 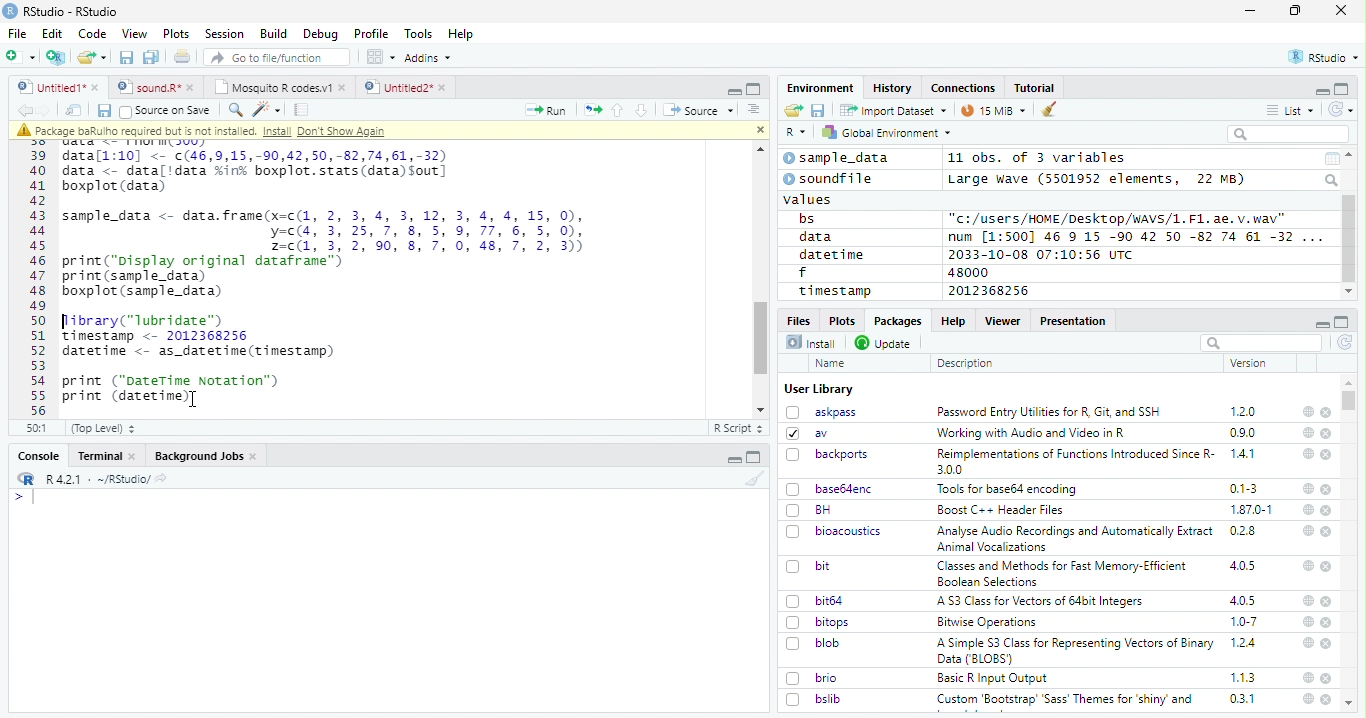 What do you see at coordinates (1009, 489) in the screenshot?
I see `Tools for baseb4 encoding` at bounding box center [1009, 489].